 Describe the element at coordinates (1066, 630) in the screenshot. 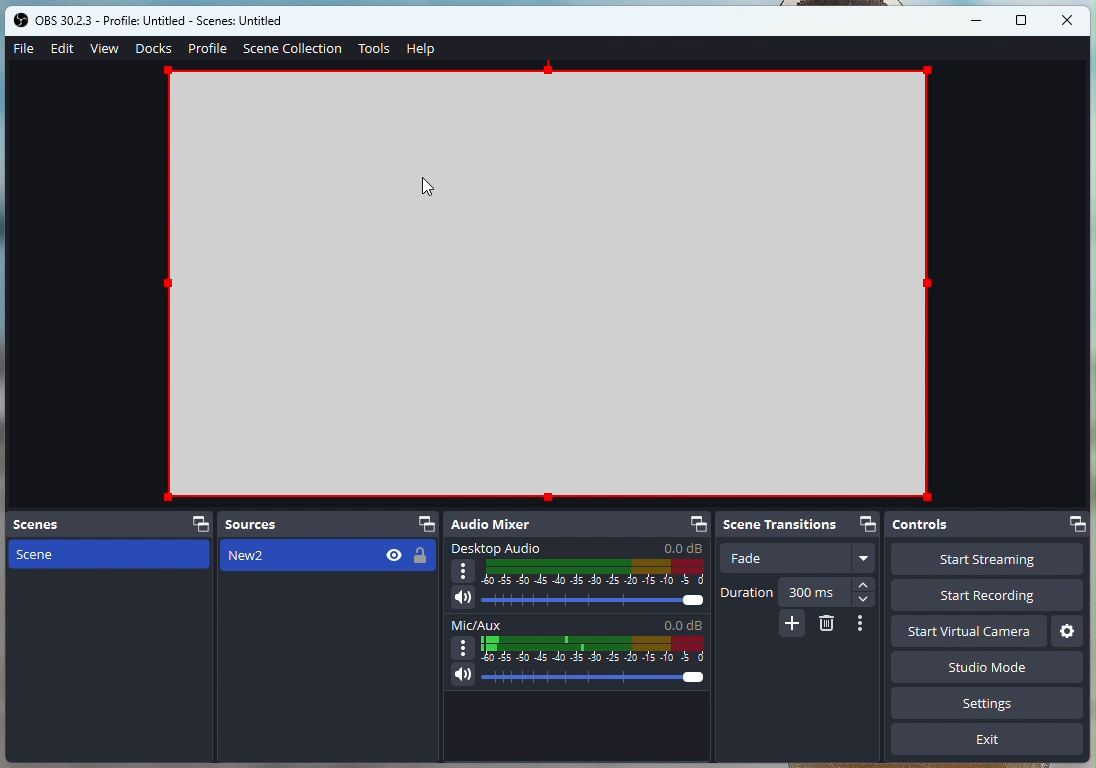

I see `Settings` at that location.